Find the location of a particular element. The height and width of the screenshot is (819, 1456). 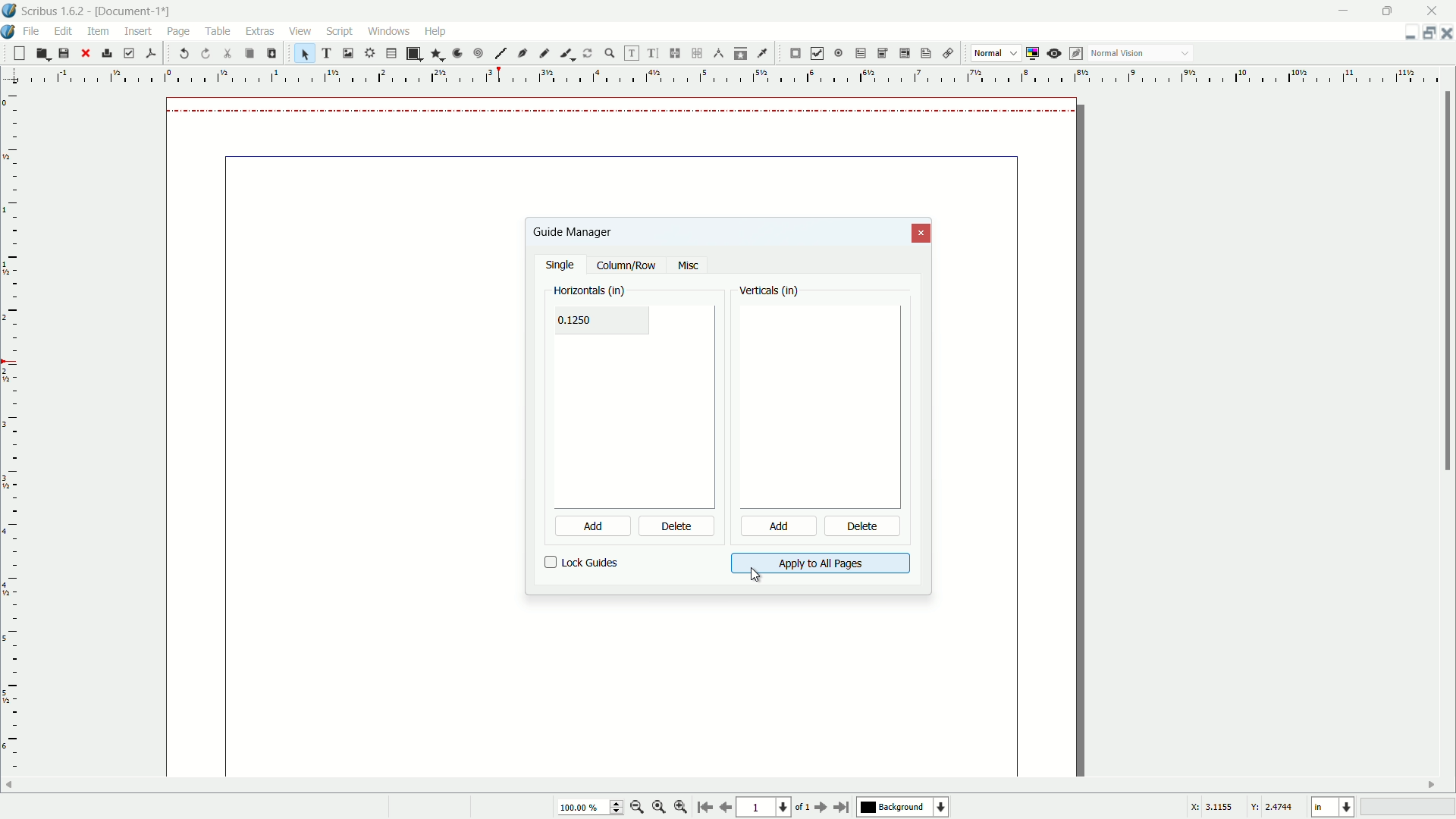

windows menu is located at coordinates (391, 30).